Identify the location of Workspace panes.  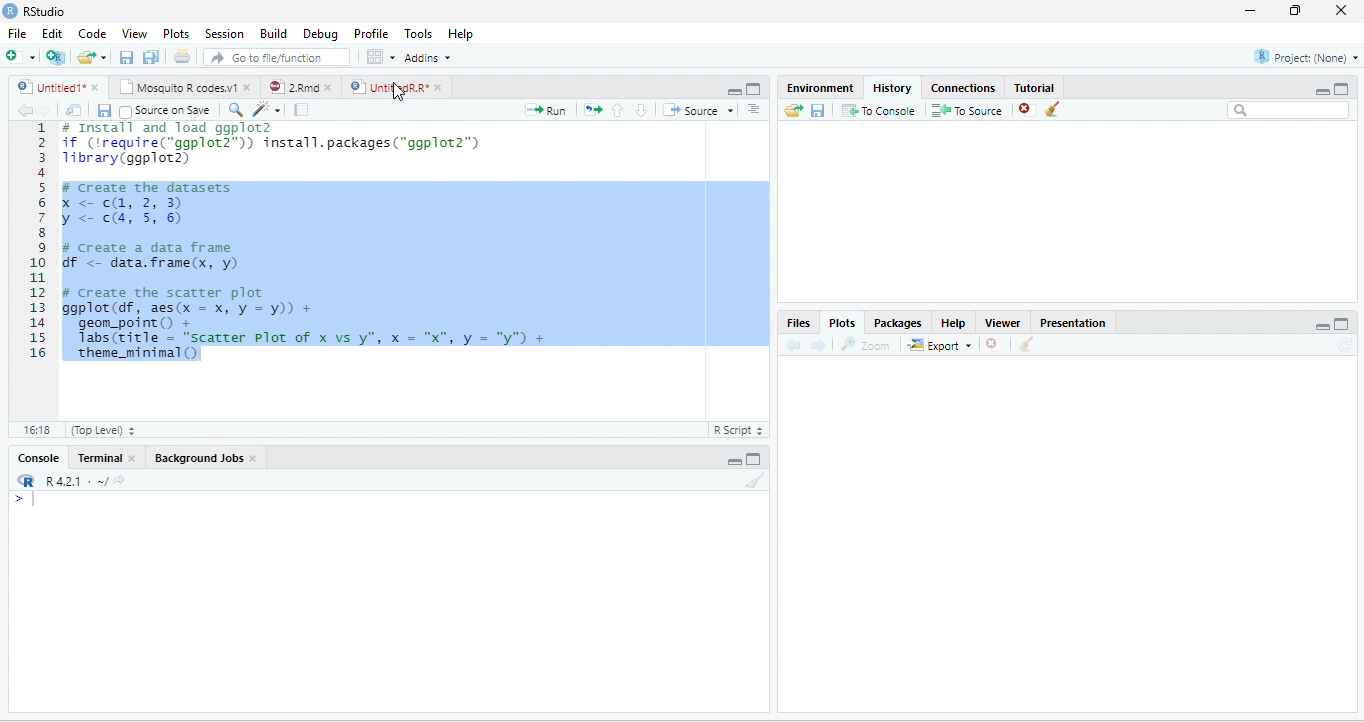
(379, 56).